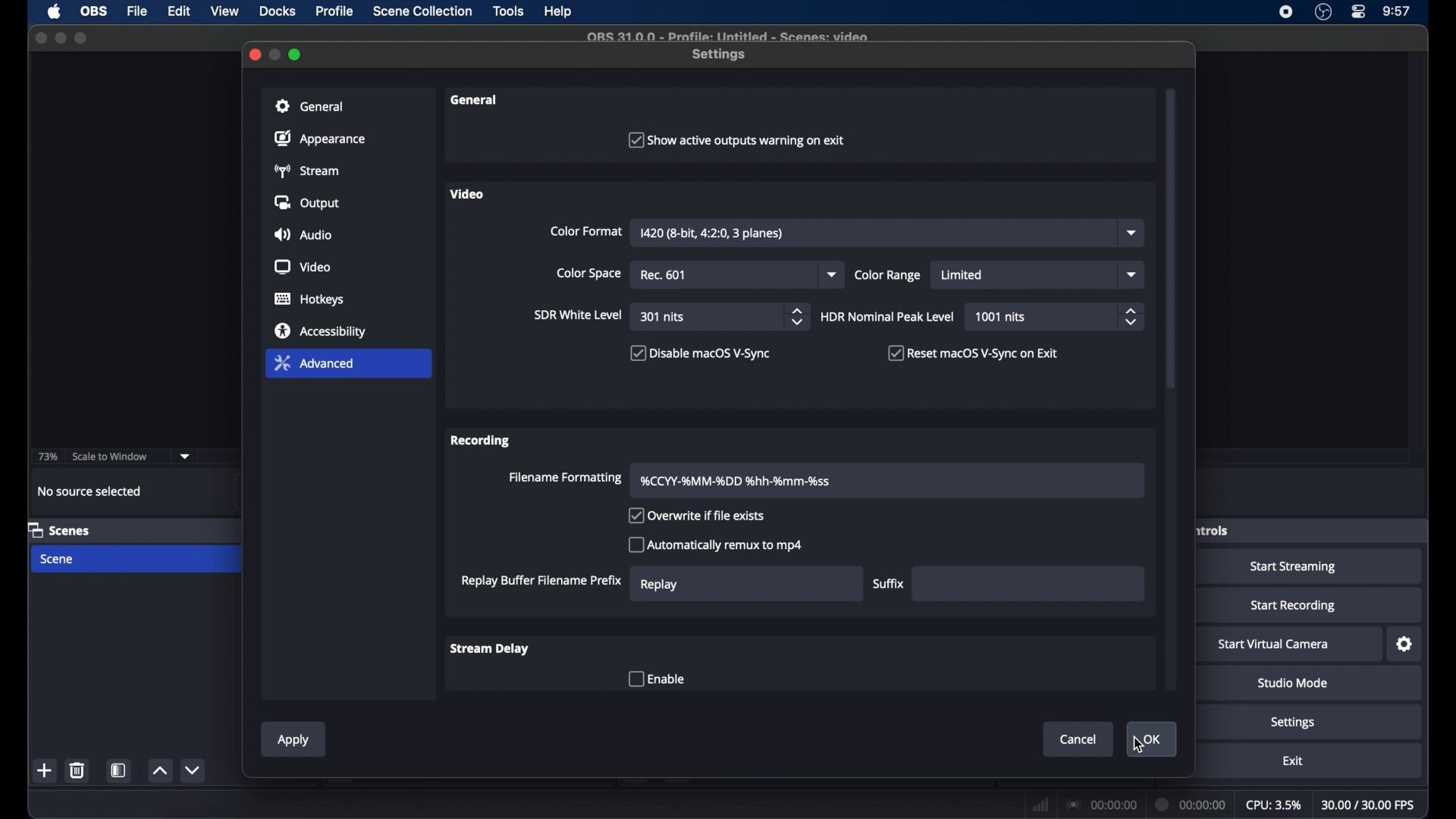 The height and width of the screenshot is (819, 1456). Describe the element at coordinates (1360, 12) in the screenshot. I see `control center` at that location.